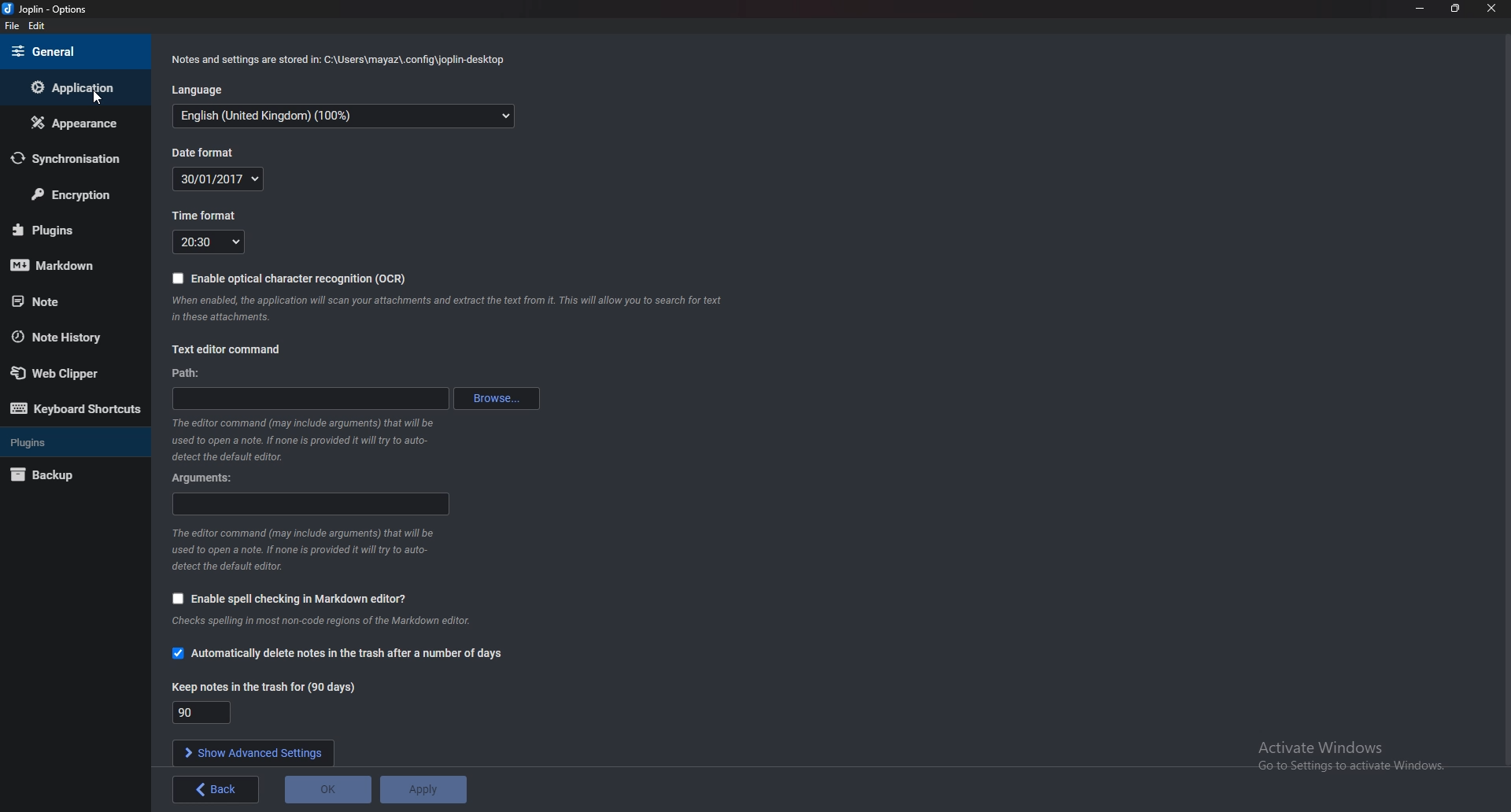  Describe the element at coordinates (265, 686) in the screenshot. I see `Keep notes in the trash for` at that location.